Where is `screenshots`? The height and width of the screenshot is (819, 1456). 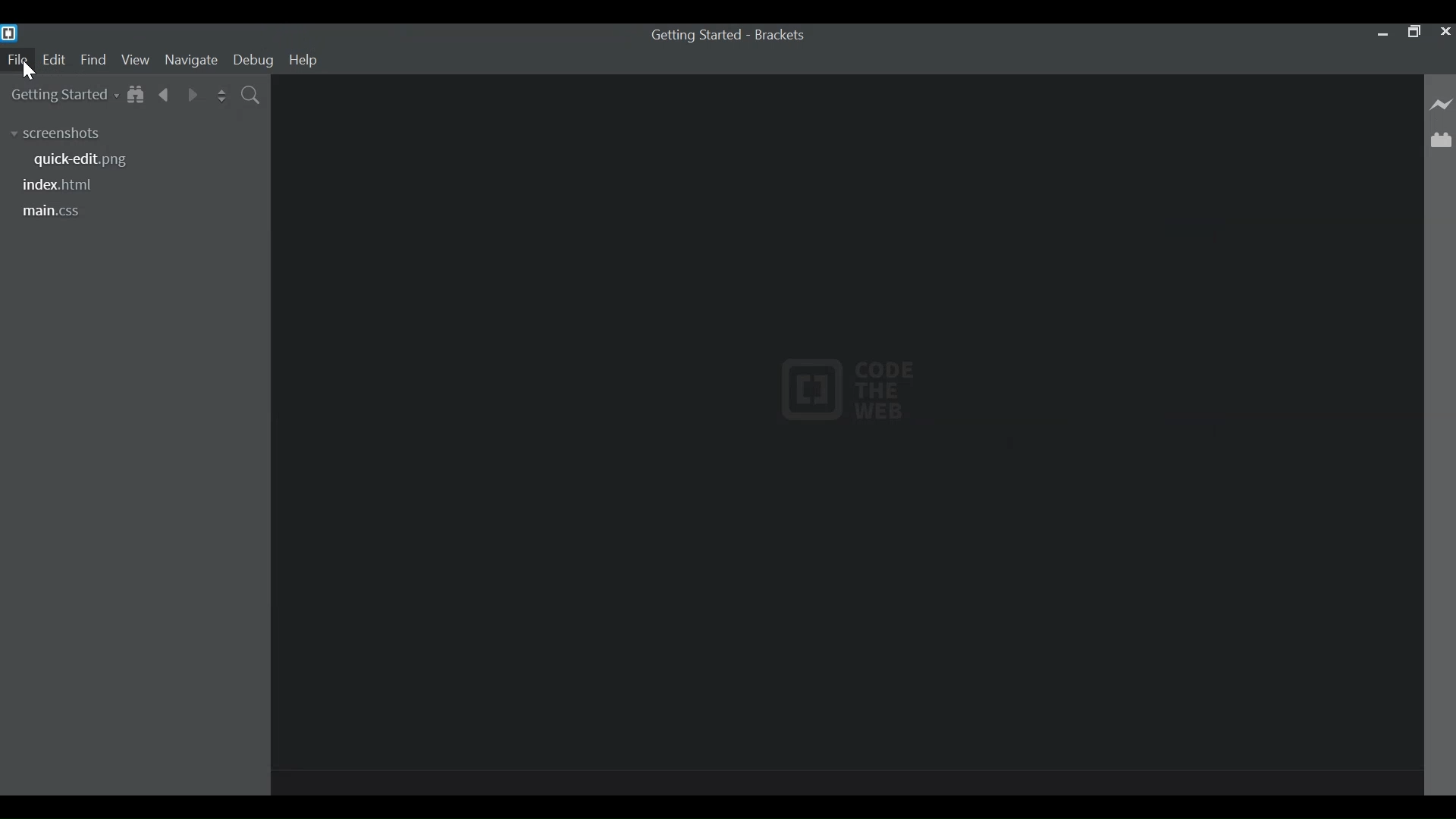 screenshots is located at coordinates (67, 134).